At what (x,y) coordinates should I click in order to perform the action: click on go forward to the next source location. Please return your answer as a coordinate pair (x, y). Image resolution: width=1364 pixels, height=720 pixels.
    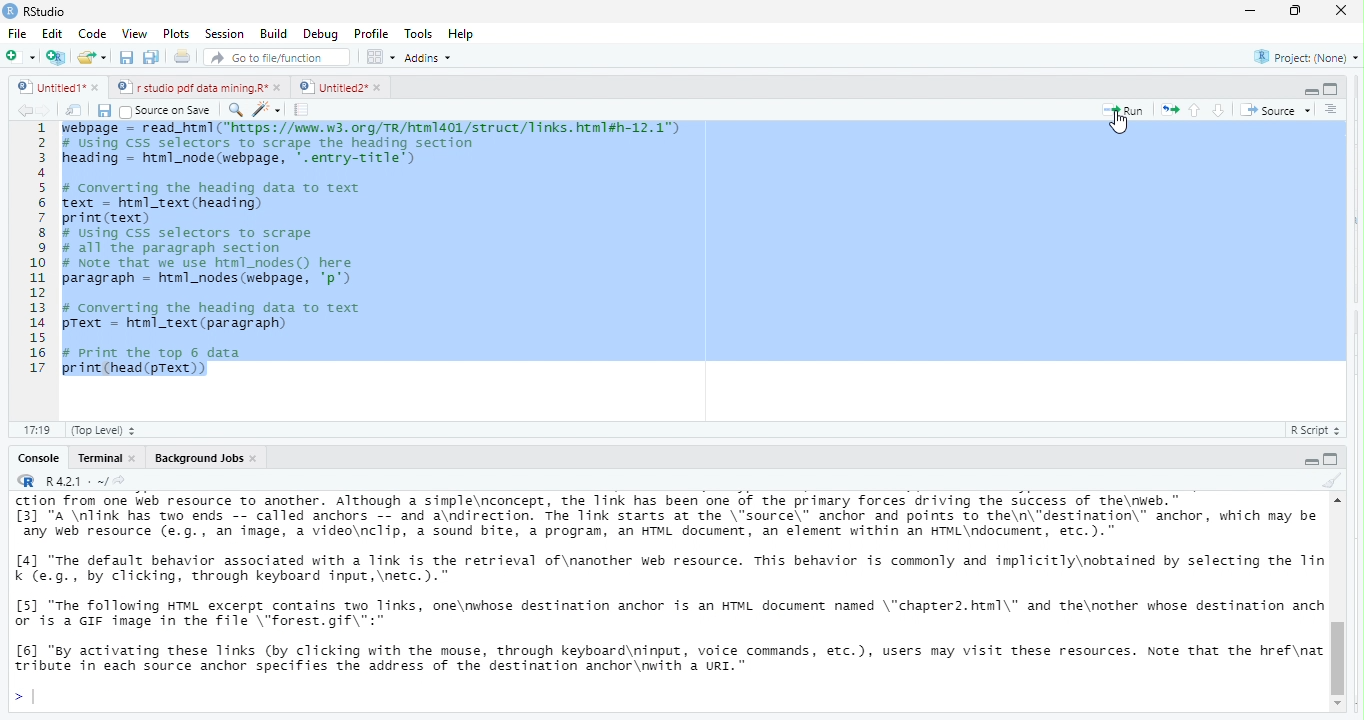
    Looking at the image, I should click on (50, 110).